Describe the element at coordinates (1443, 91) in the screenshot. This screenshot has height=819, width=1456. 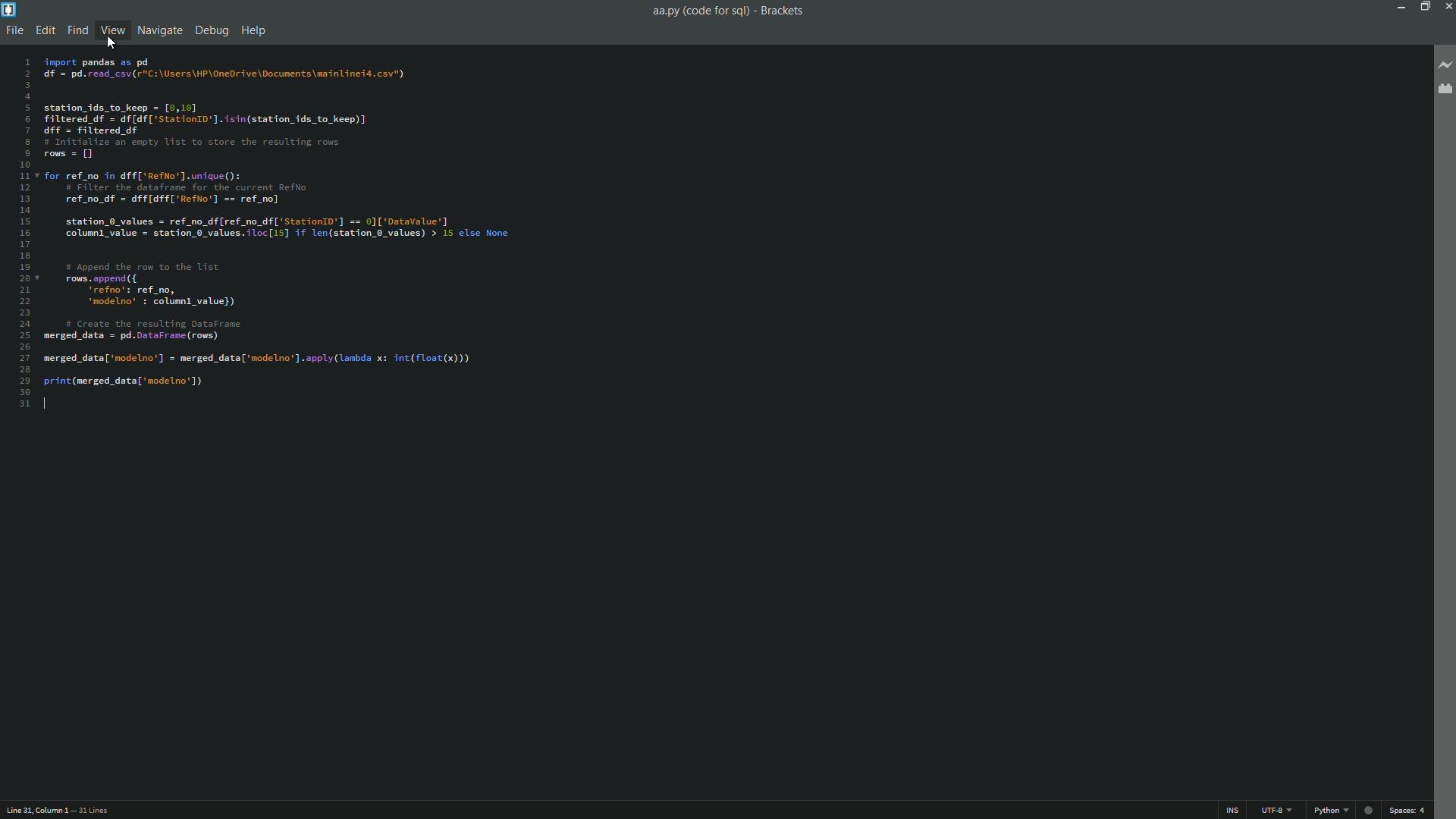
I see `extension manager` at that location.